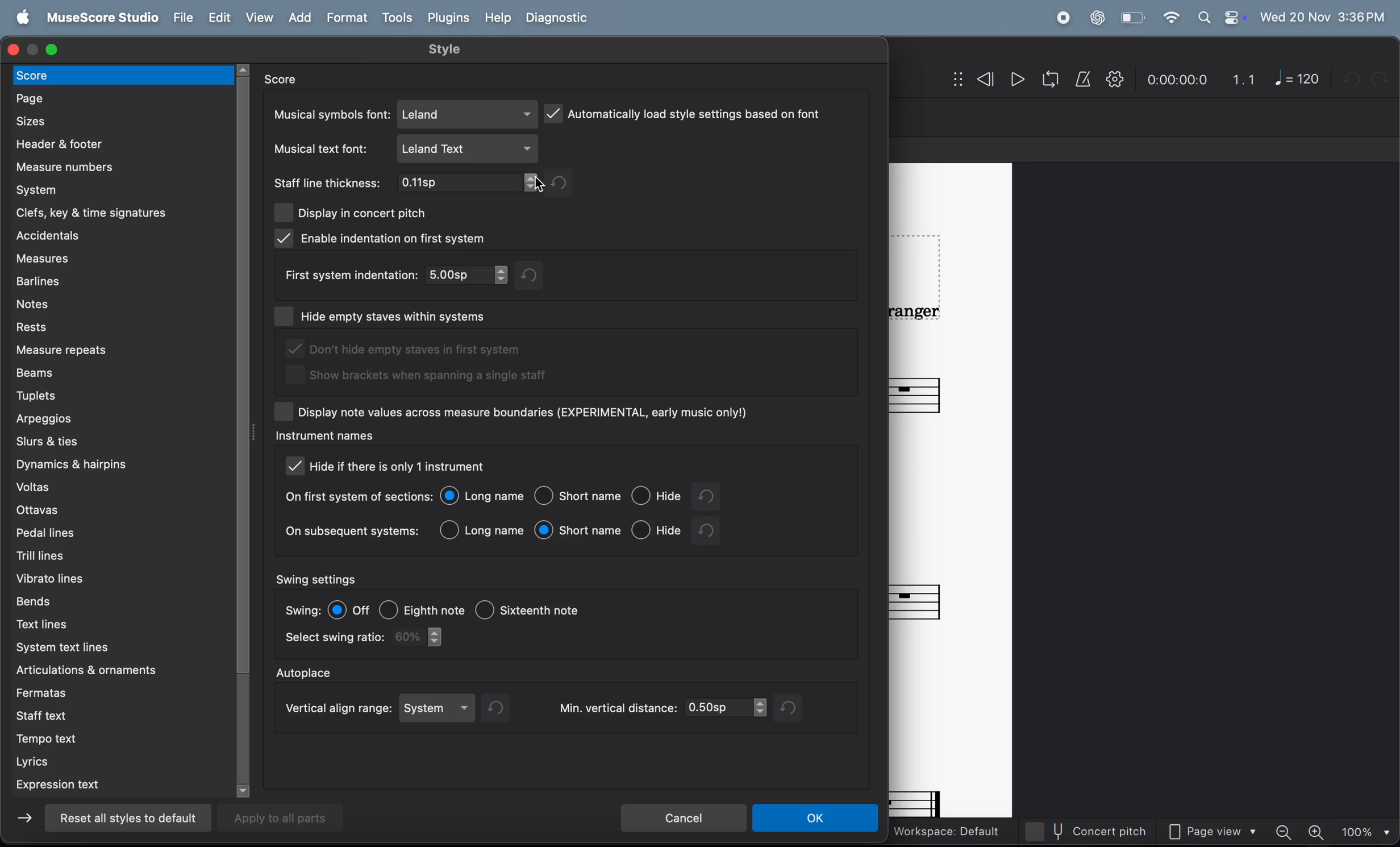 The height and width of the screenshot is (847, 1400). I want to click on chat gpt, so click(1098, 18).